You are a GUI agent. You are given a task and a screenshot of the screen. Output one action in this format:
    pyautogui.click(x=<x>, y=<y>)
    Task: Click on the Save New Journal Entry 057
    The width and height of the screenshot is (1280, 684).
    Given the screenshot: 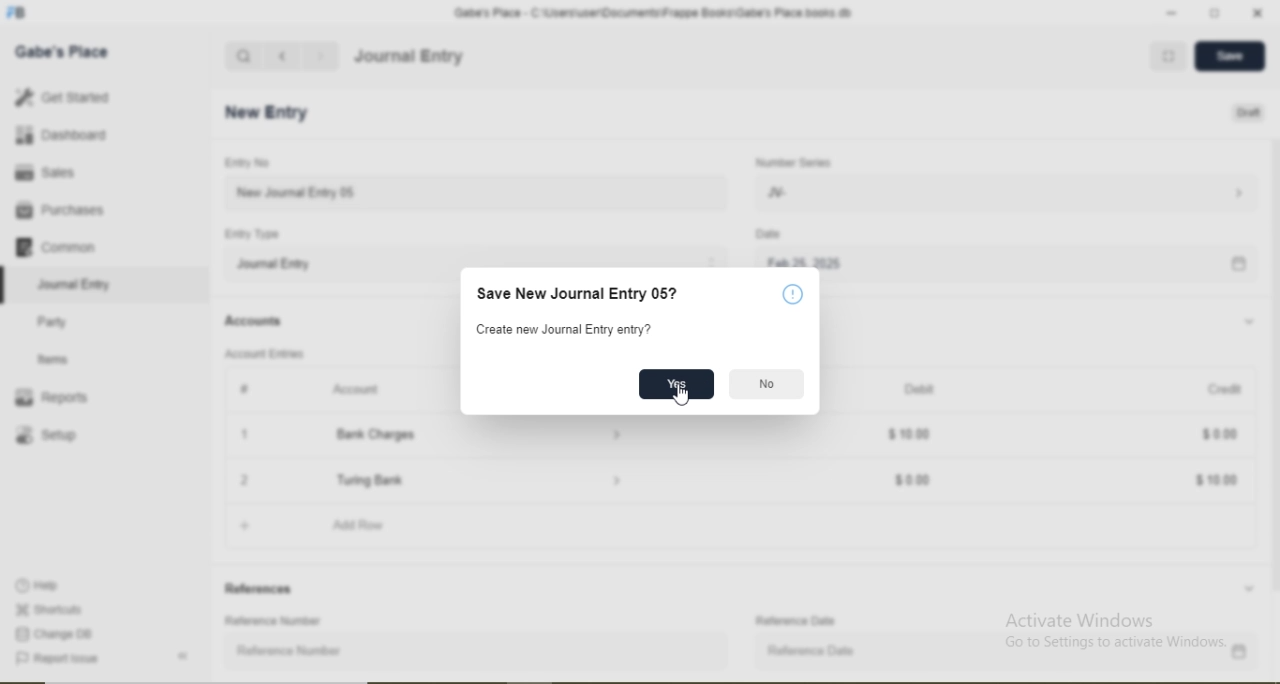 What is the action you would take?
    pyautogui.click(x=581, y=295)
    